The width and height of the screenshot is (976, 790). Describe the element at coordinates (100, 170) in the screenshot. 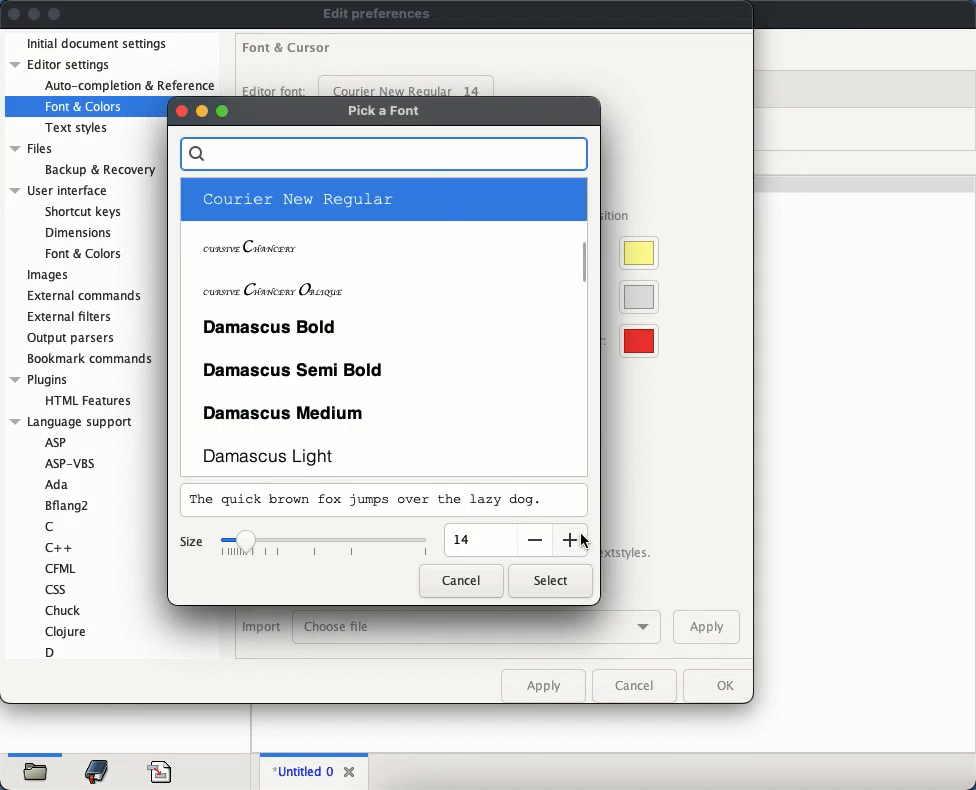

I see `backup & recovery` at that location.